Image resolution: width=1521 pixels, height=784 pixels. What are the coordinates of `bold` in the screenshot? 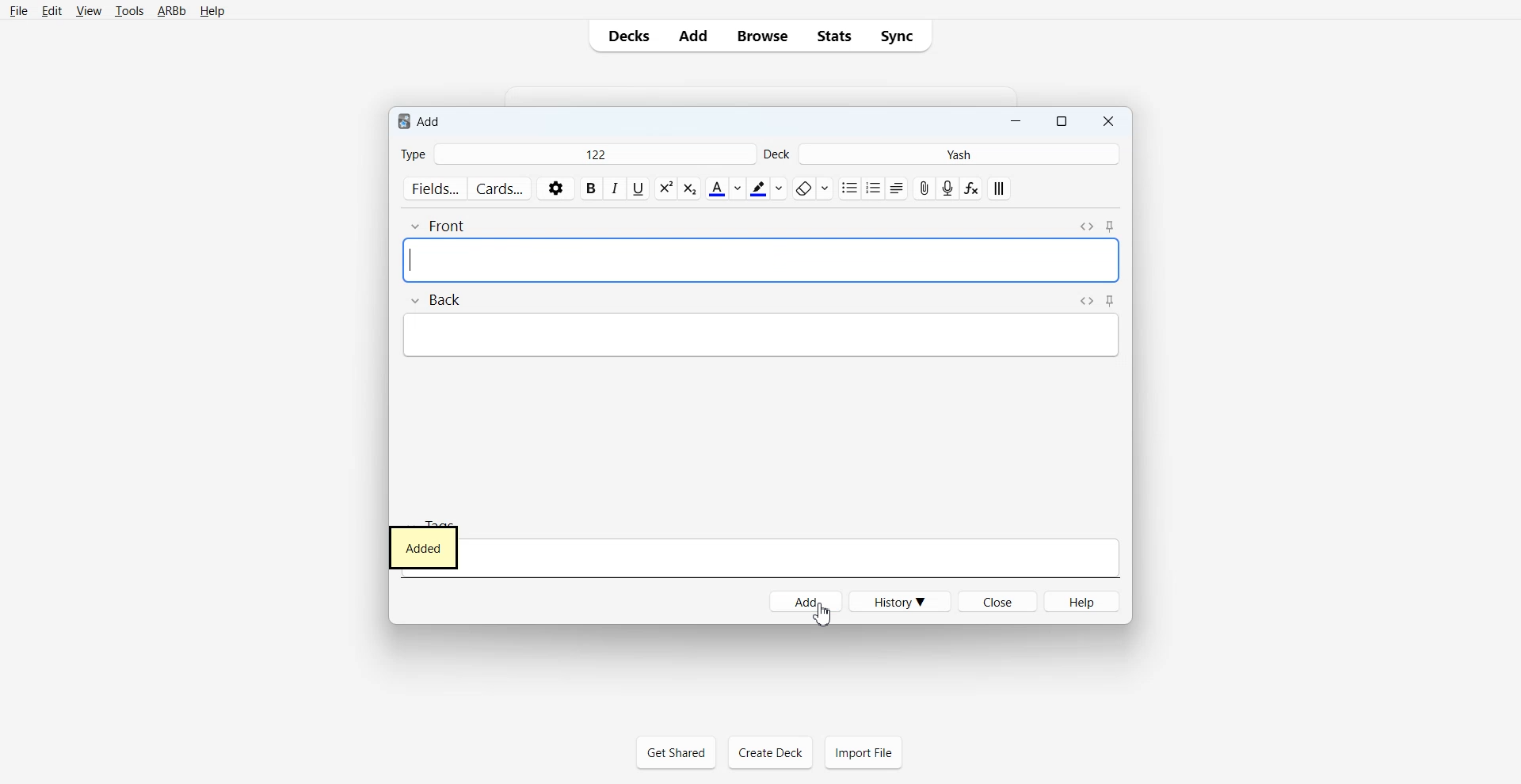 It's located at (592, 188).